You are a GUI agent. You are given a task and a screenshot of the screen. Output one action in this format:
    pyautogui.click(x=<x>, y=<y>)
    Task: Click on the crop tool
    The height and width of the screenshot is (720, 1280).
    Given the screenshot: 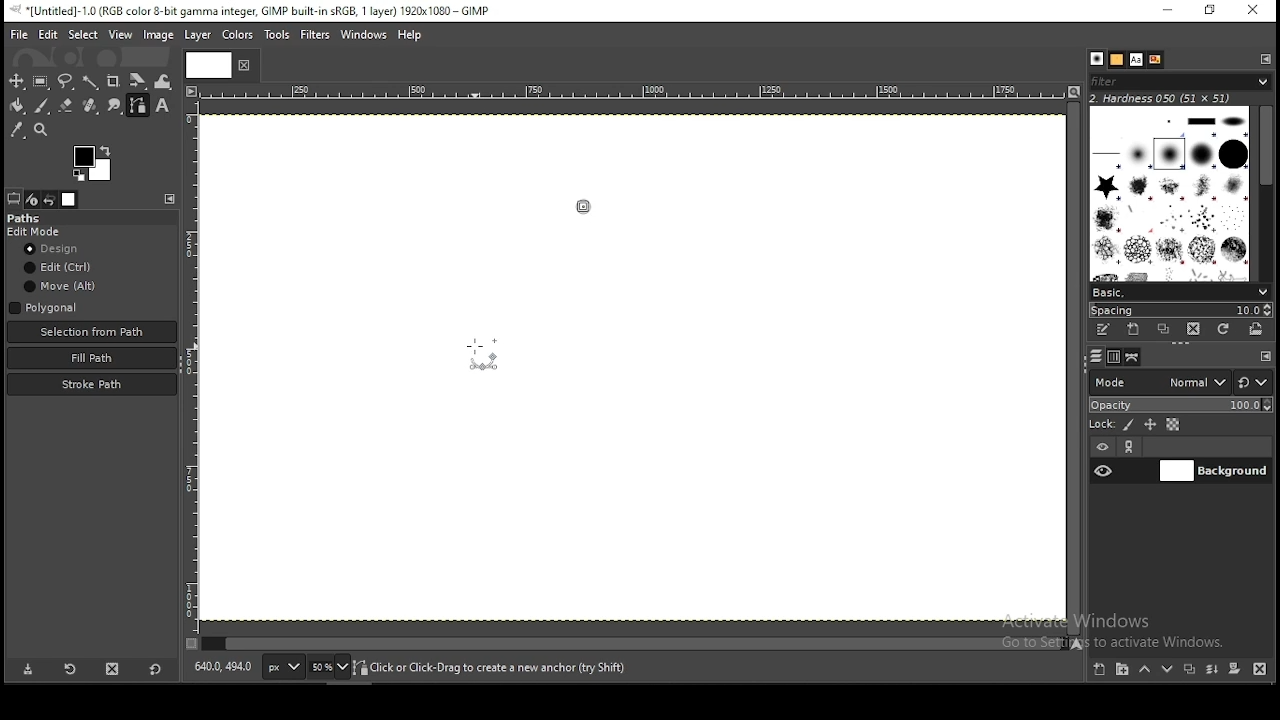 What is the action you would take?
    pyautogui.click(x=115, y=80)
    